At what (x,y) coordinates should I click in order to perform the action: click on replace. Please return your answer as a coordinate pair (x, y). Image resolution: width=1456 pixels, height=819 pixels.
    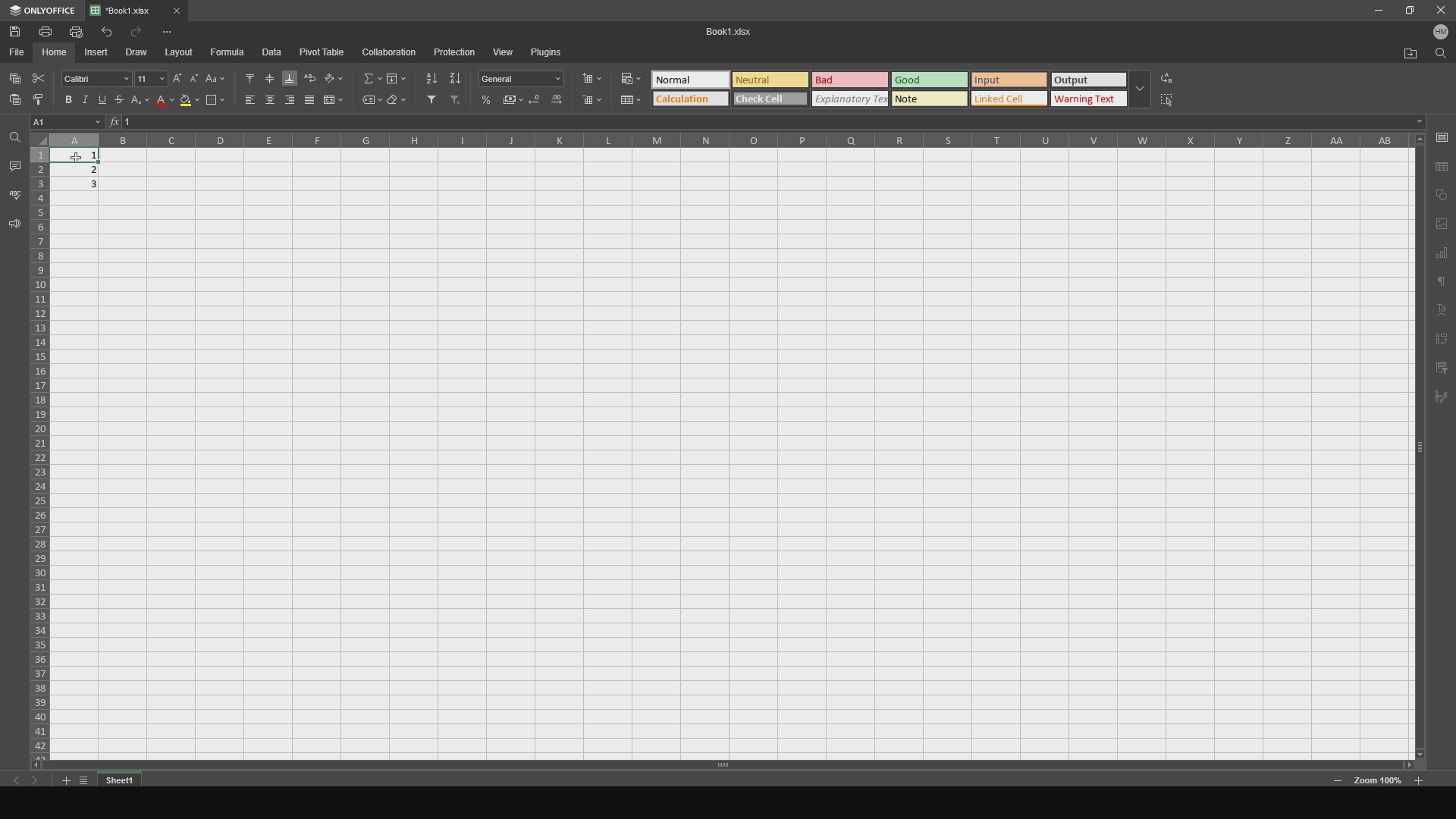
    Looking at the image, I should click on (1178, 76).